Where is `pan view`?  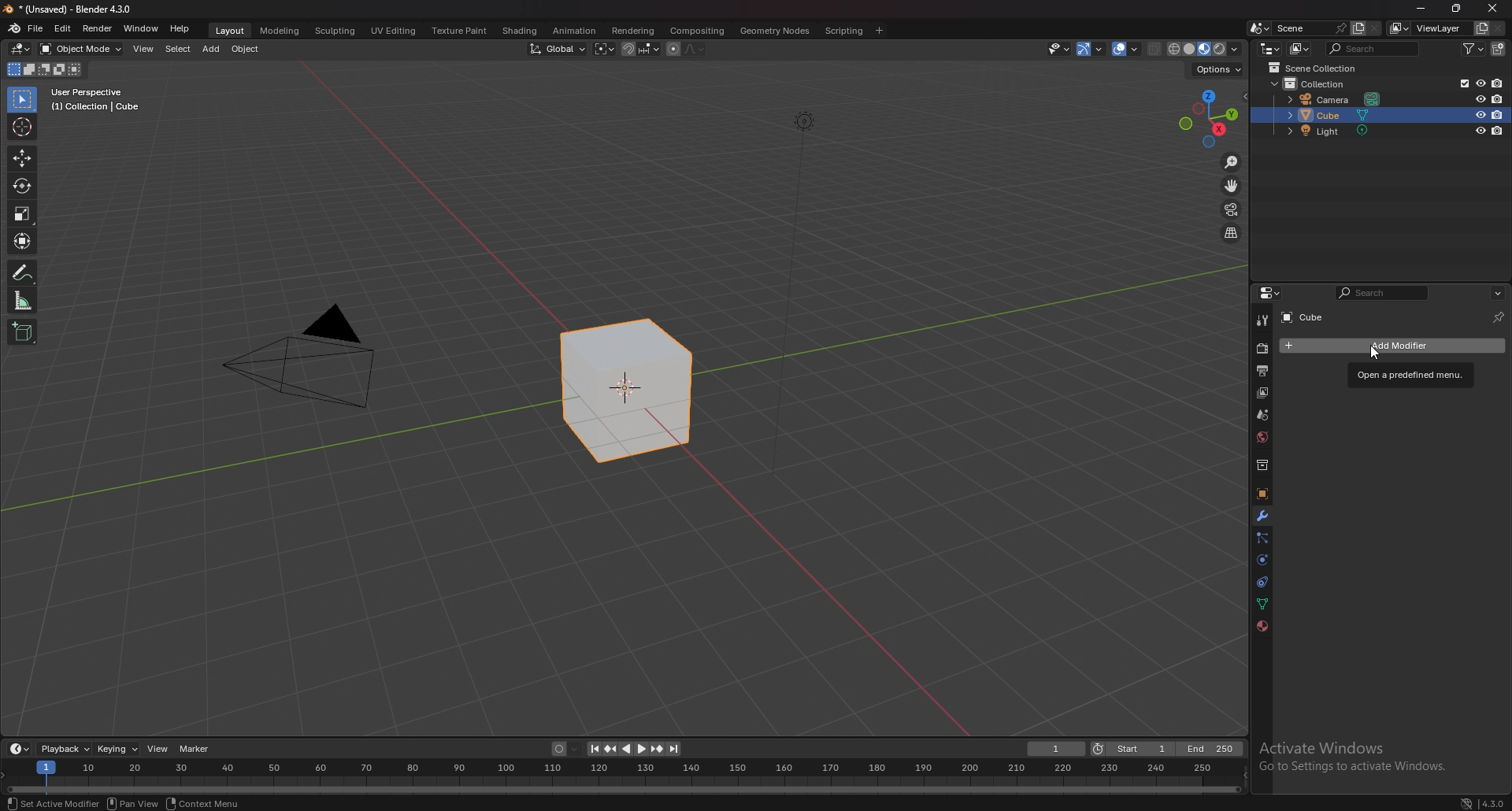
pan view is located at coordinates (130, 804).